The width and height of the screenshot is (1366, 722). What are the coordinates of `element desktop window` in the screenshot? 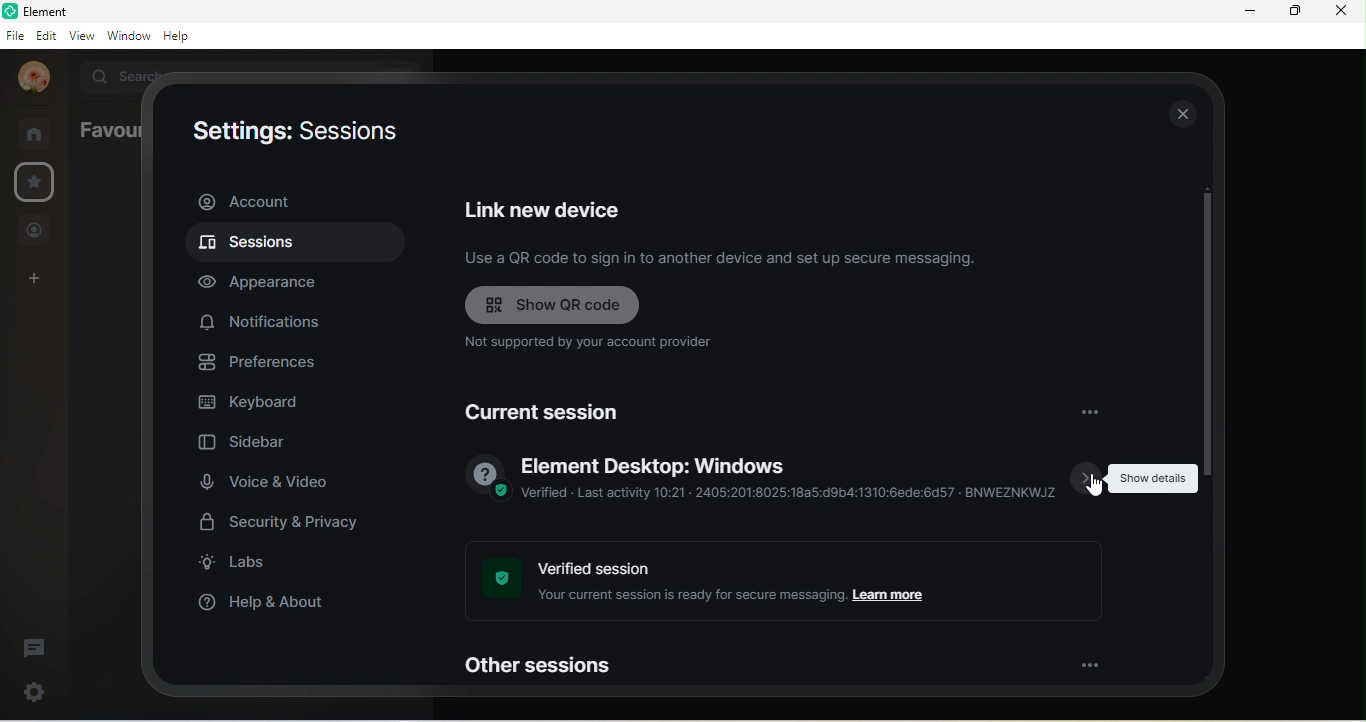 It's located at (666, 466).